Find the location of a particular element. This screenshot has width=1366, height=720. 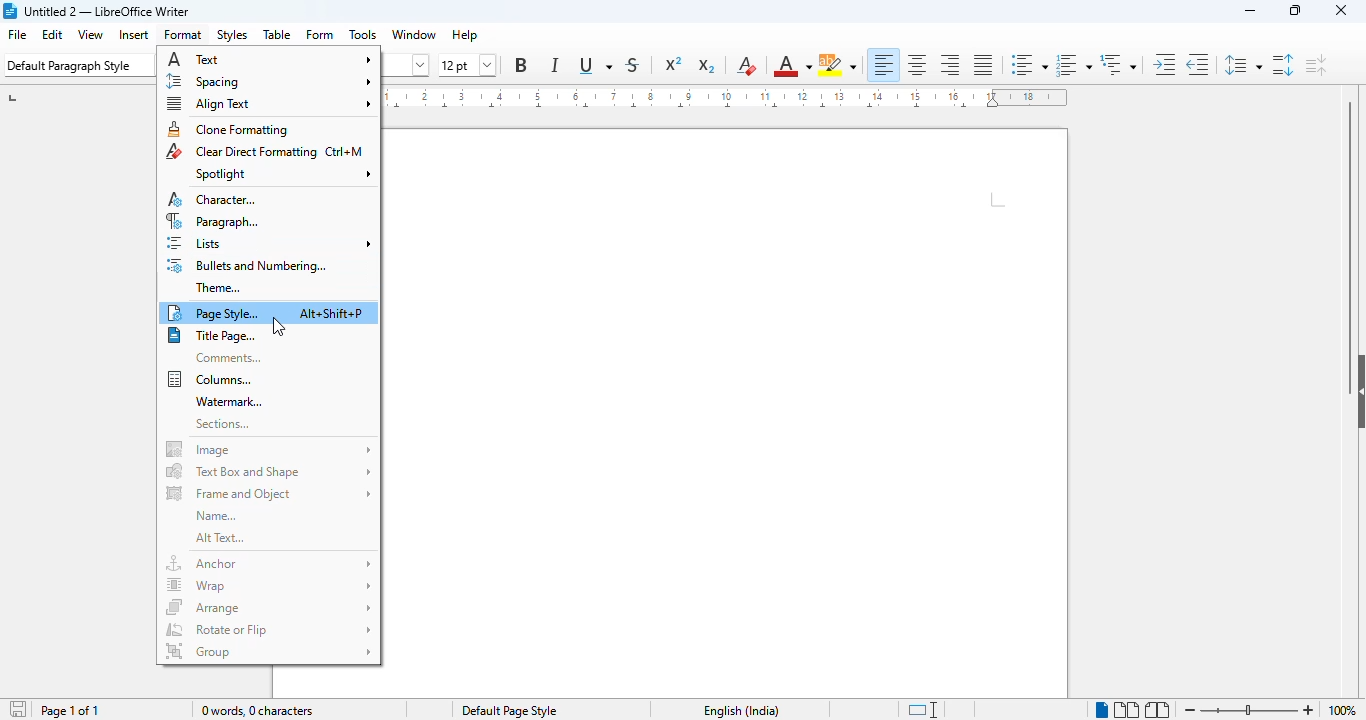

window is located at coordinates (412, 35).